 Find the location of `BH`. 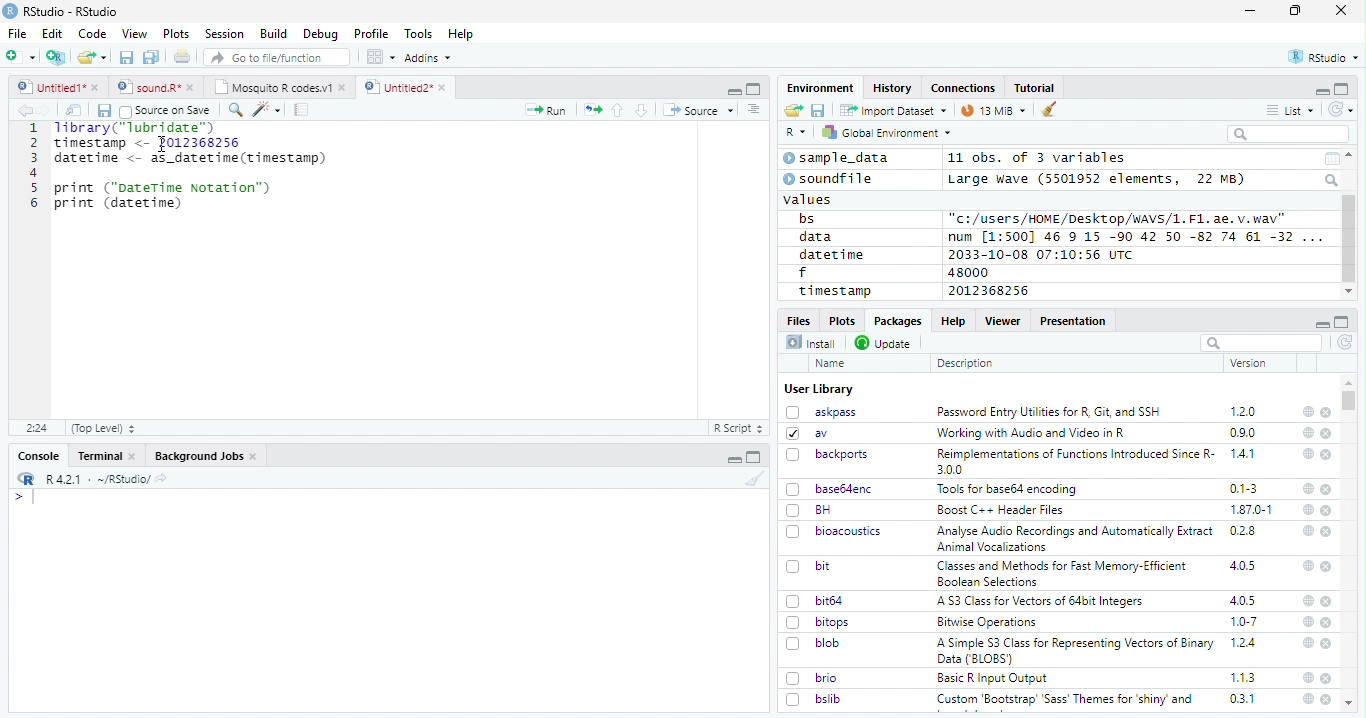

BH is located at coordinates (811, 510).